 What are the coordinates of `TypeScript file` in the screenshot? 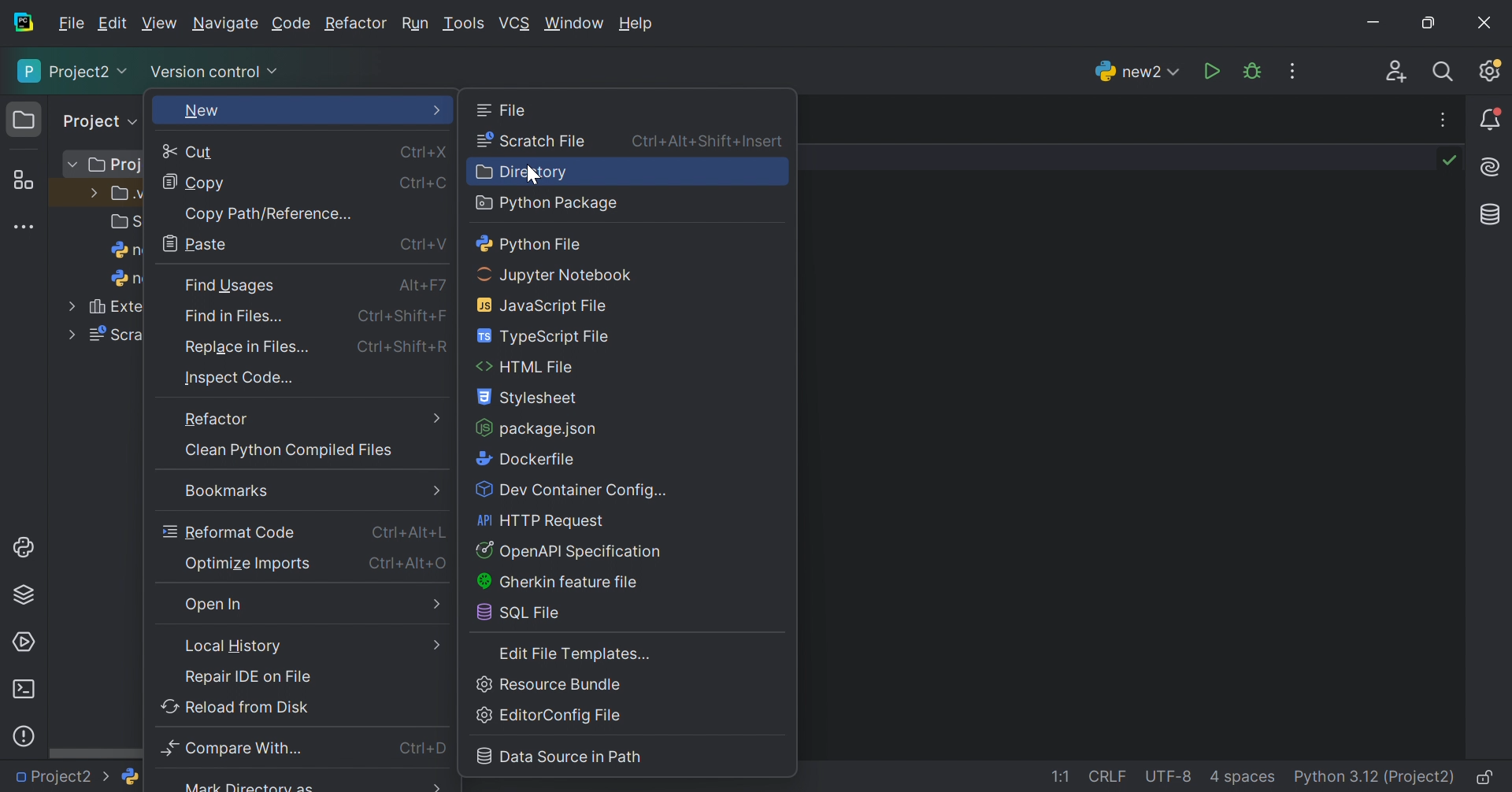 It's located at (543, 337).